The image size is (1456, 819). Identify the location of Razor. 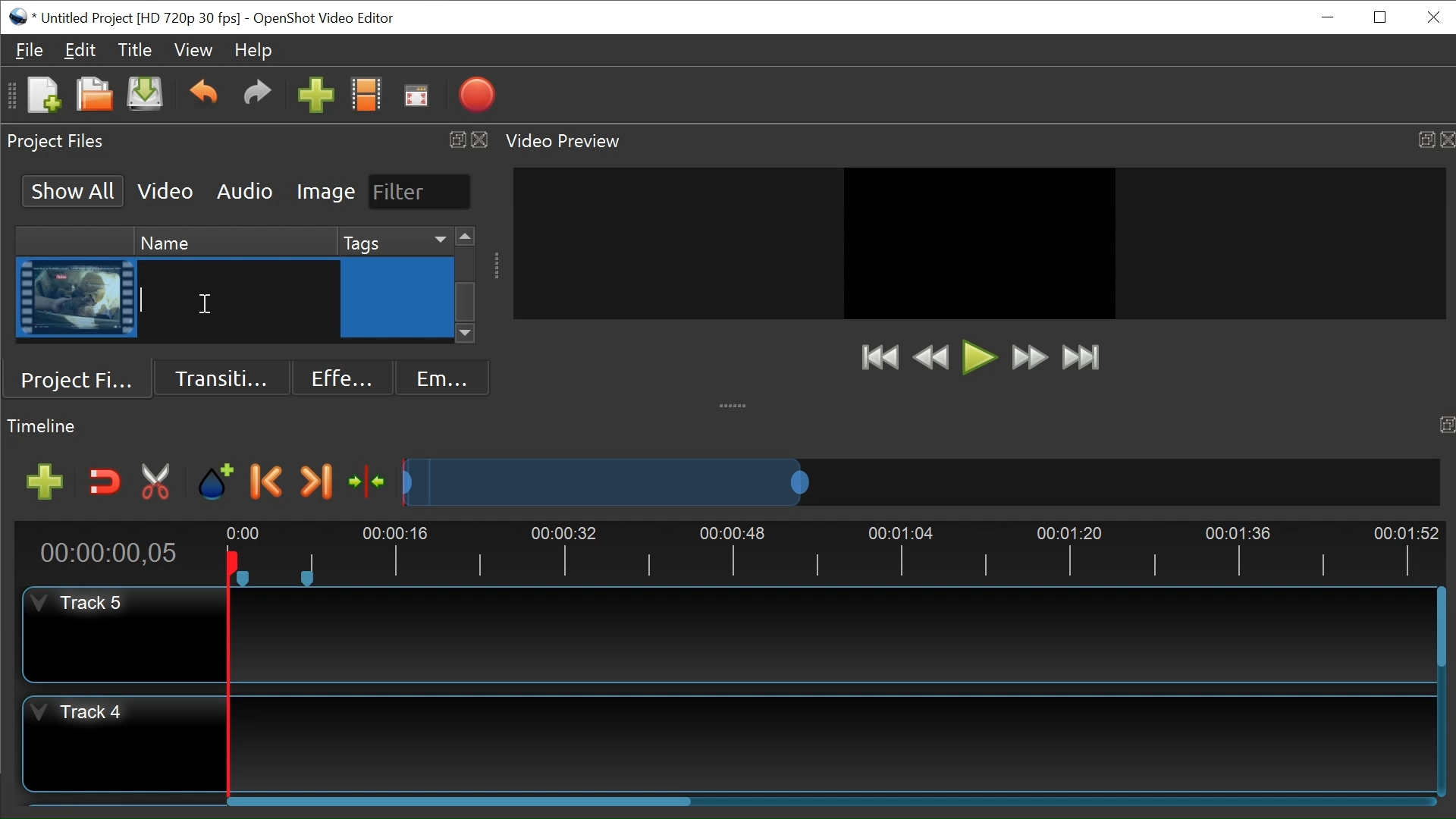
(157, 482).